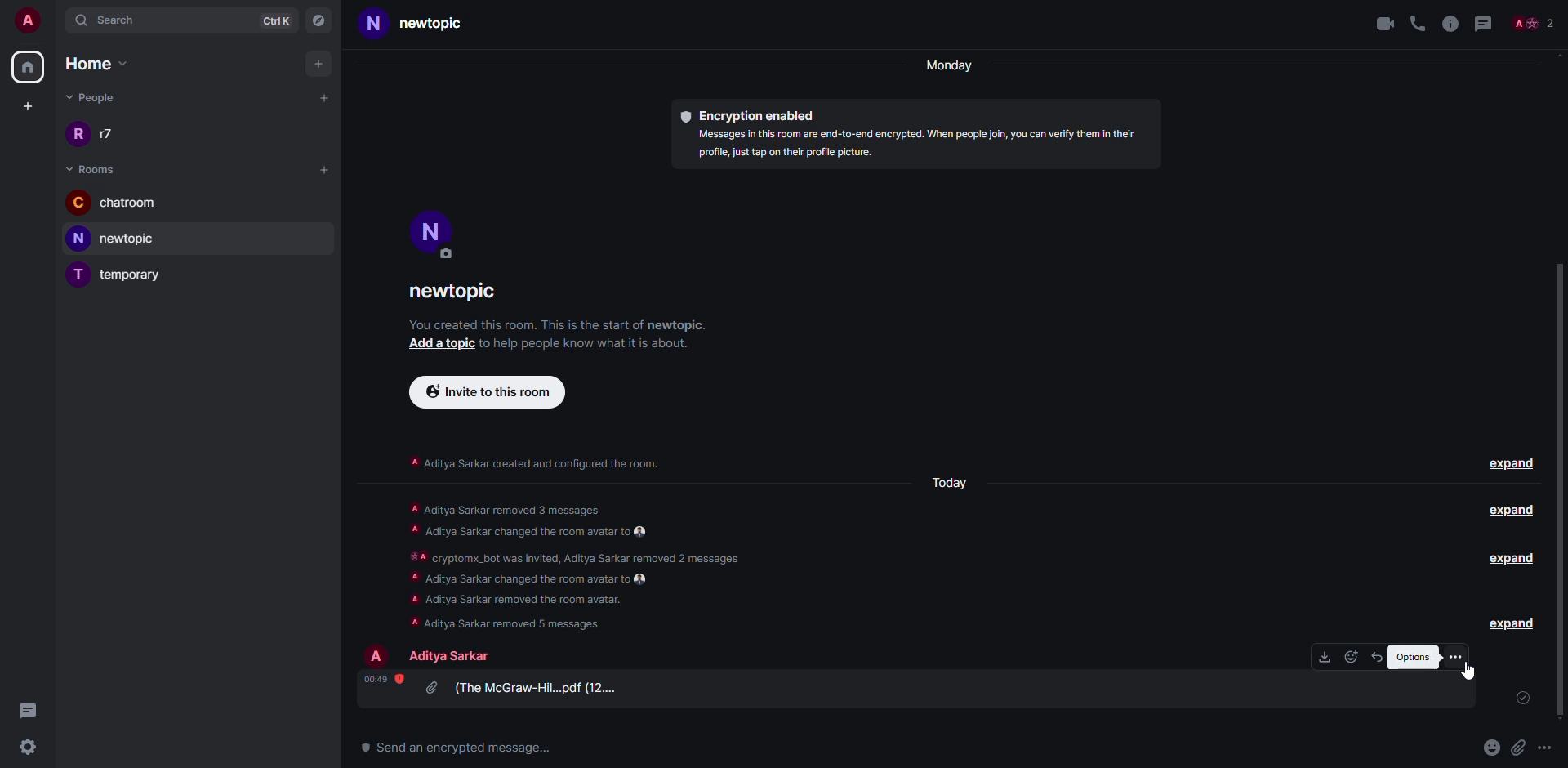 The height and width of the screenshot is (768, 1568). Describe the element at coordinates (1378, 658) in the screenshot. I see `reply` at that location.